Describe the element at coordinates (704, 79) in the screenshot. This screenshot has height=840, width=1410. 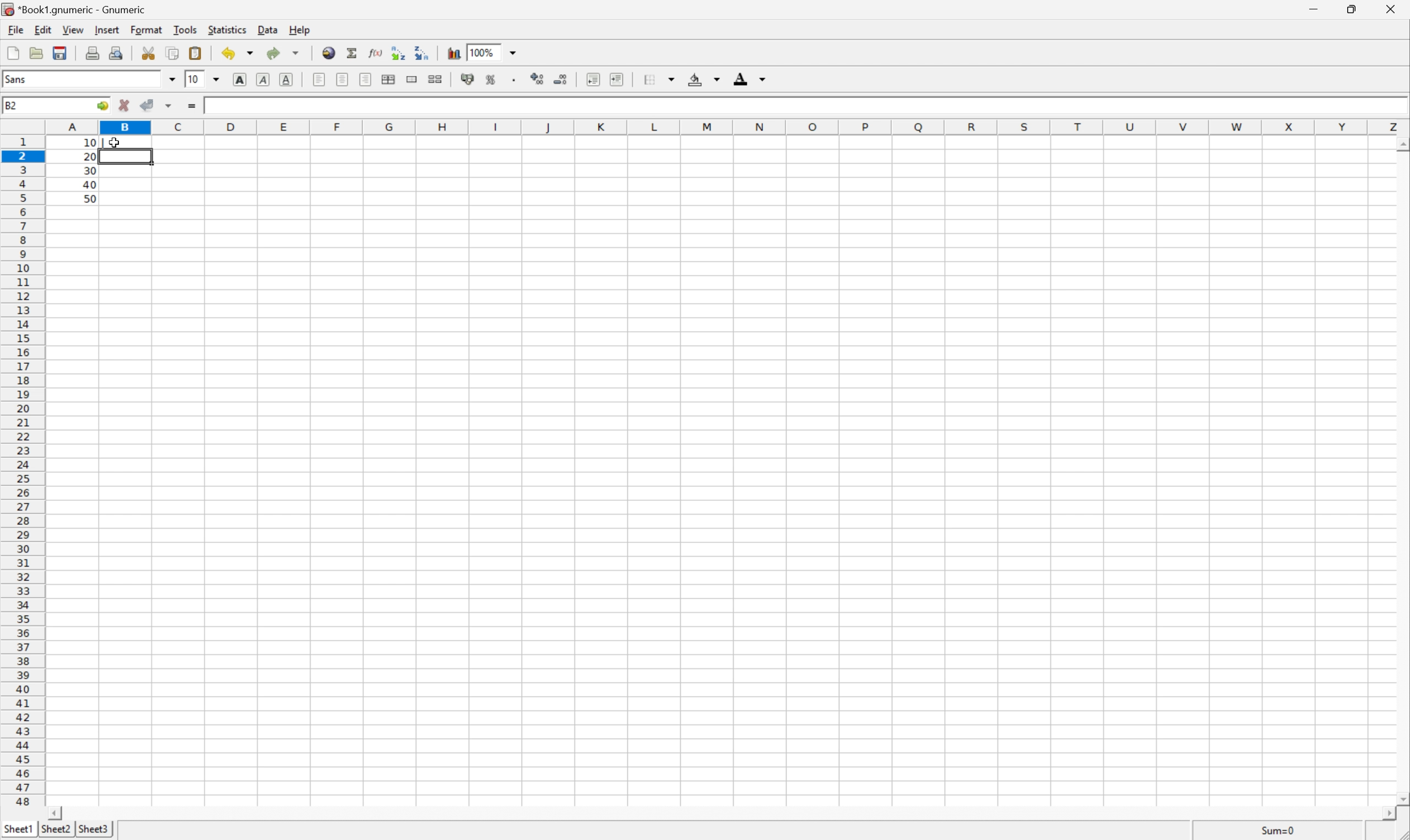
I see `Background` at that location.